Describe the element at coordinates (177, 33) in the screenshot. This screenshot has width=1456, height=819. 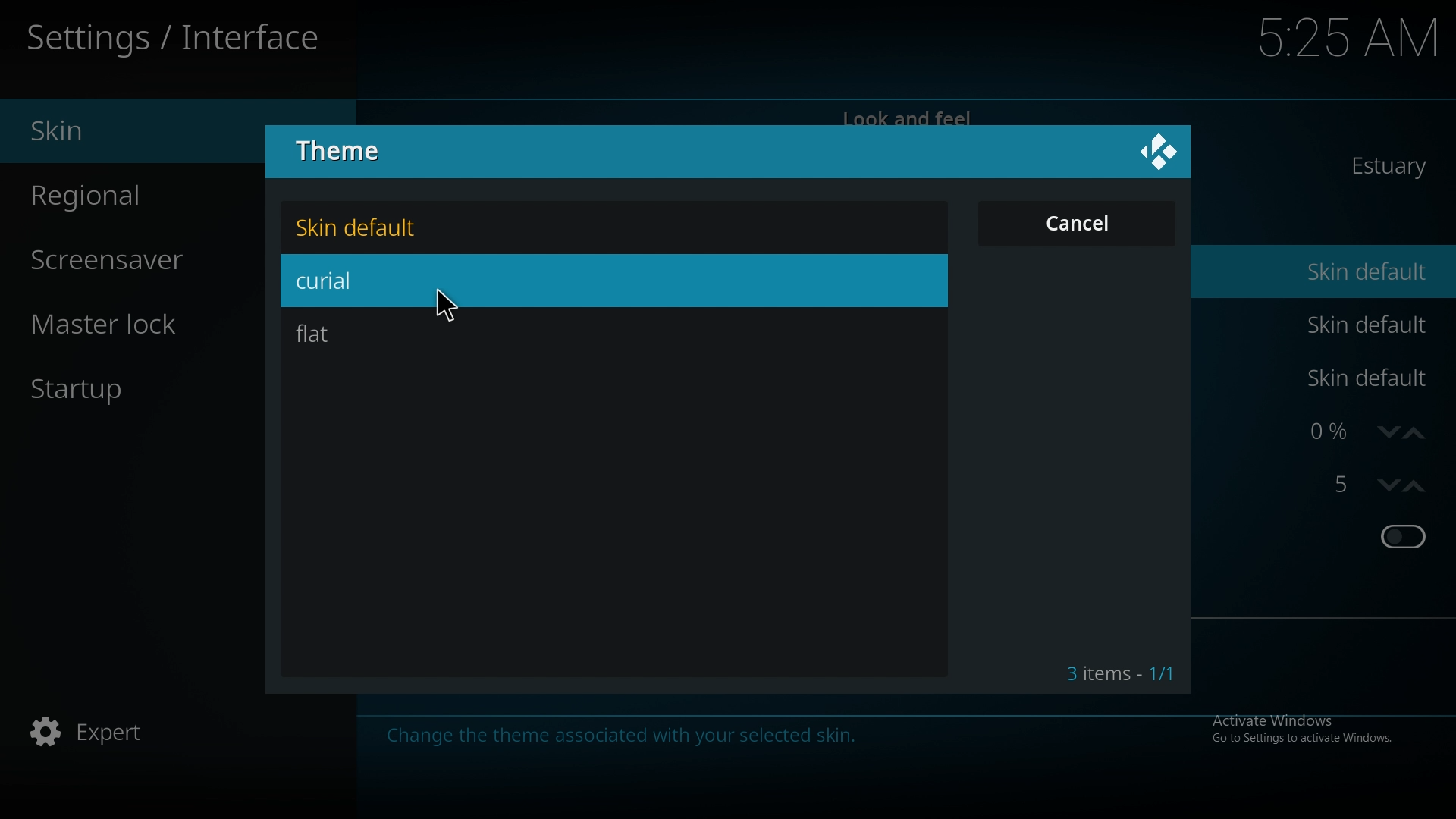
I see `interface` at that location.